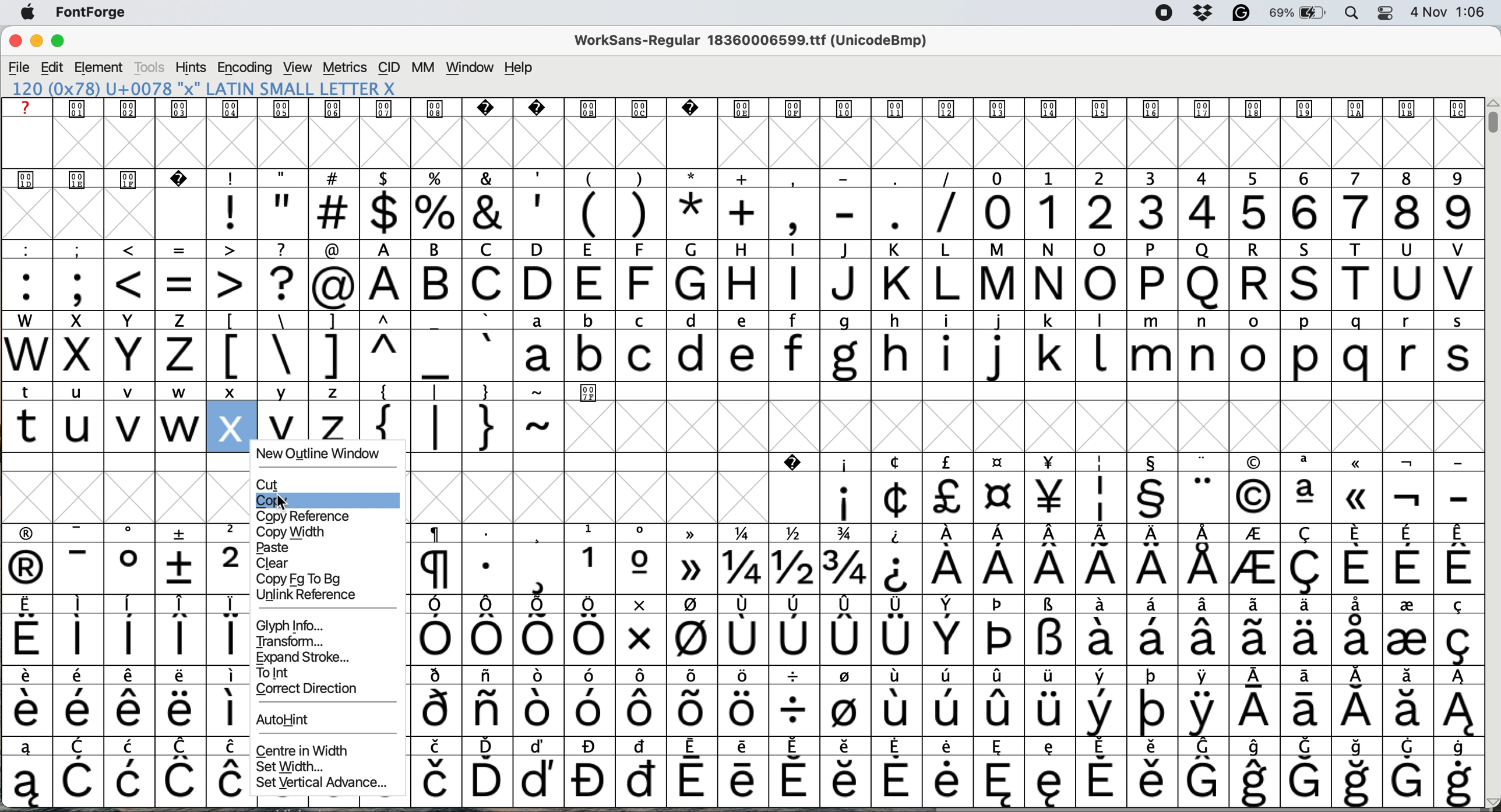 This screenshot has width=1501, height=812. I want to click on copy reference, so click(309, 516).